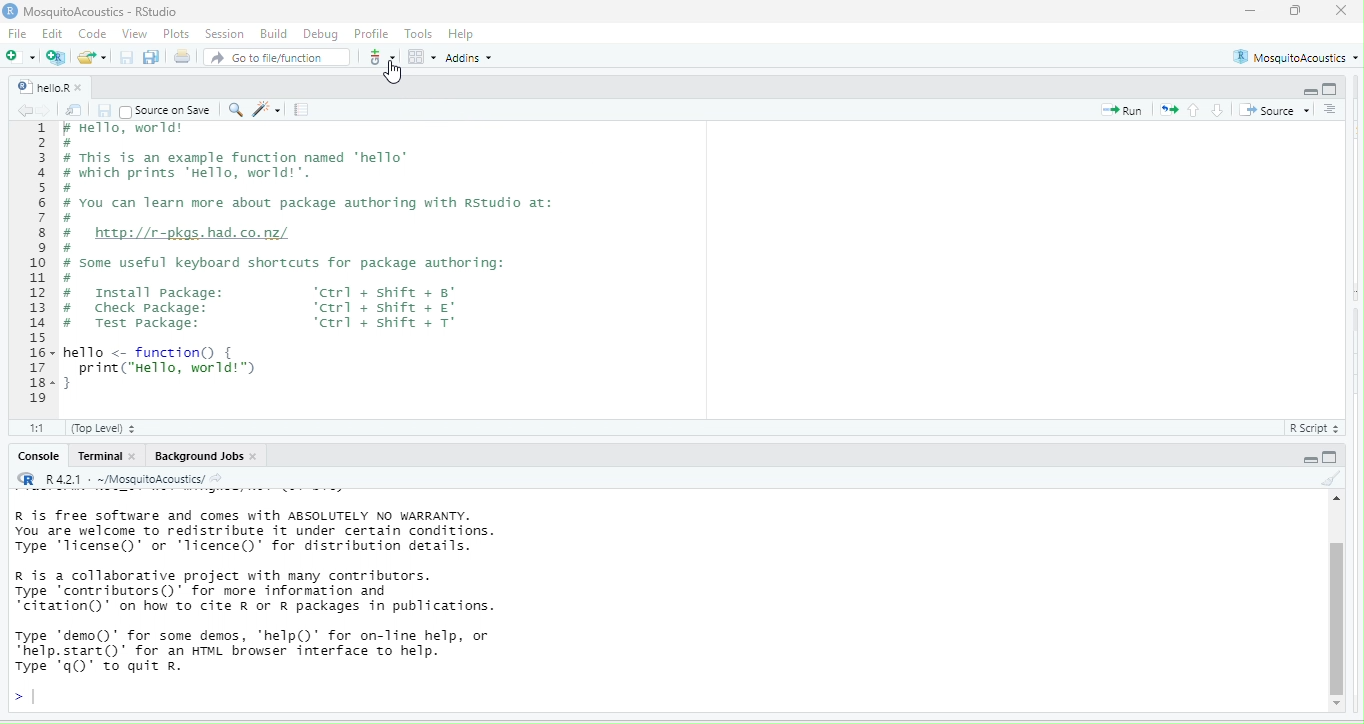  I want to click on find/replace, so click(237, 110).